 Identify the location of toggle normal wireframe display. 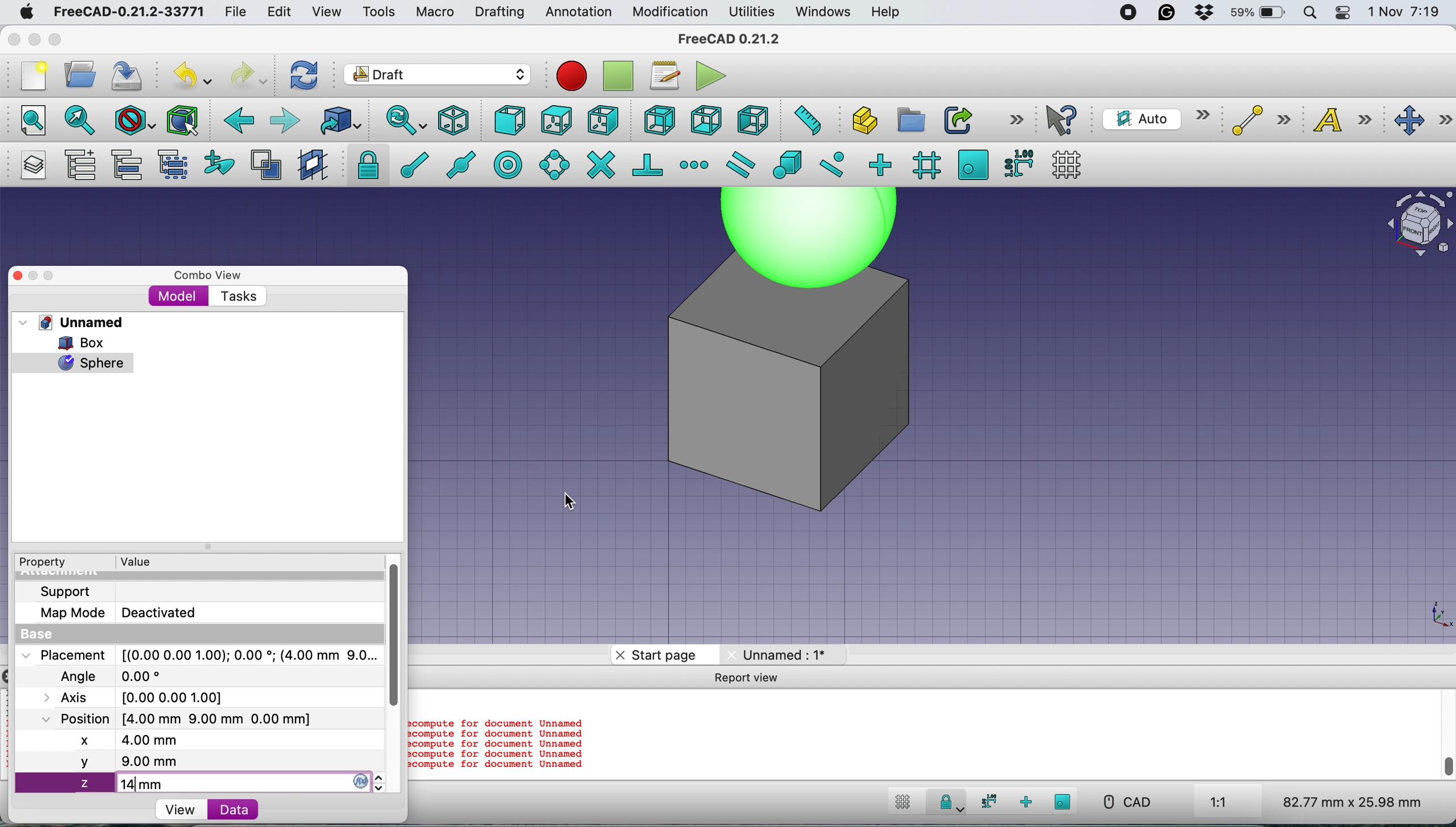
(268, 165).